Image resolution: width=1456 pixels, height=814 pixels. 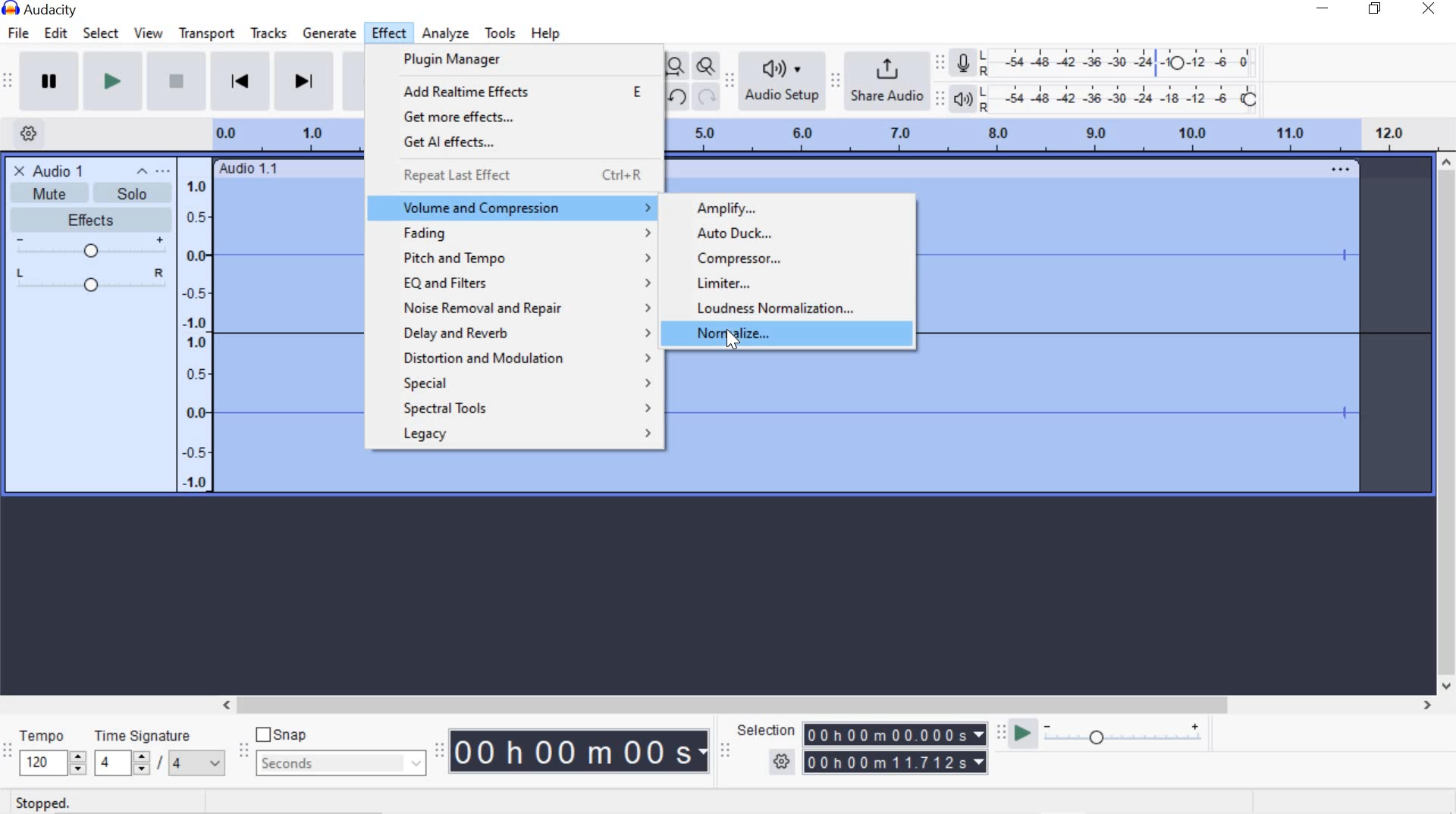 I want to click on plugin manager, so click(x=485, y=61).